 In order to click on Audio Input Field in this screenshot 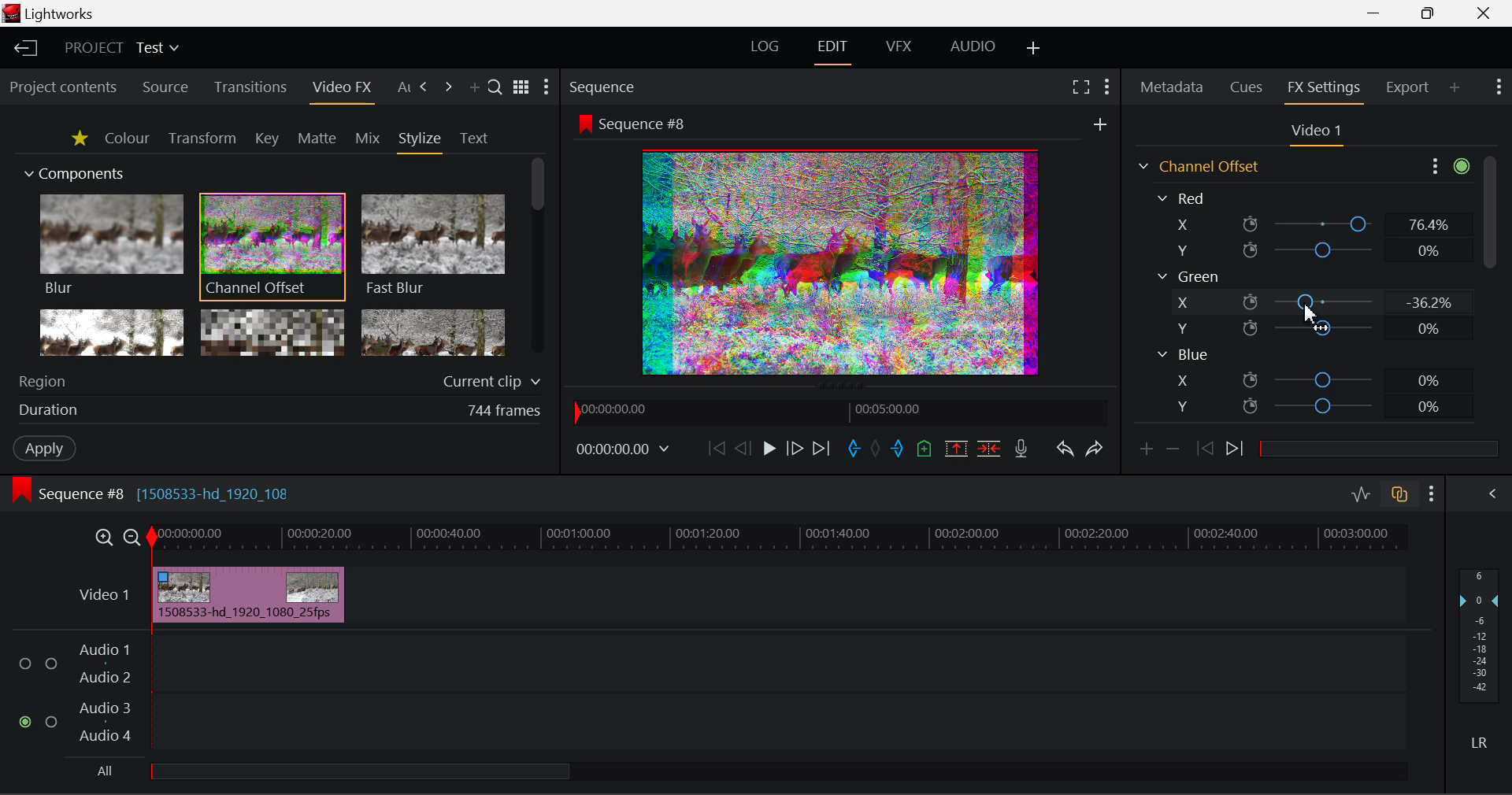, I will do `click(708, 694)`.